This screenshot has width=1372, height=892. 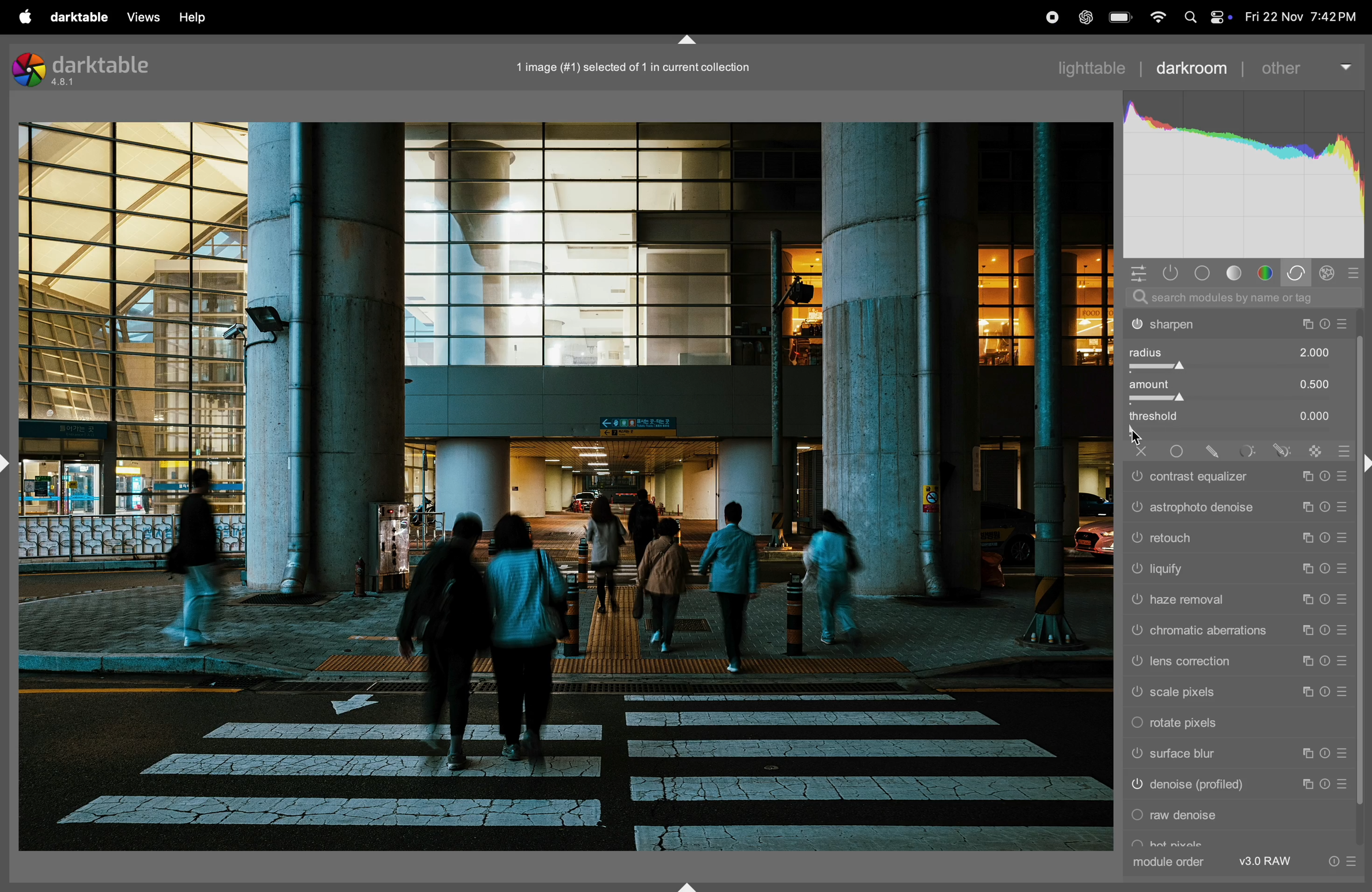 I want to click on v 3 raw, so click(x=1269, y=861).